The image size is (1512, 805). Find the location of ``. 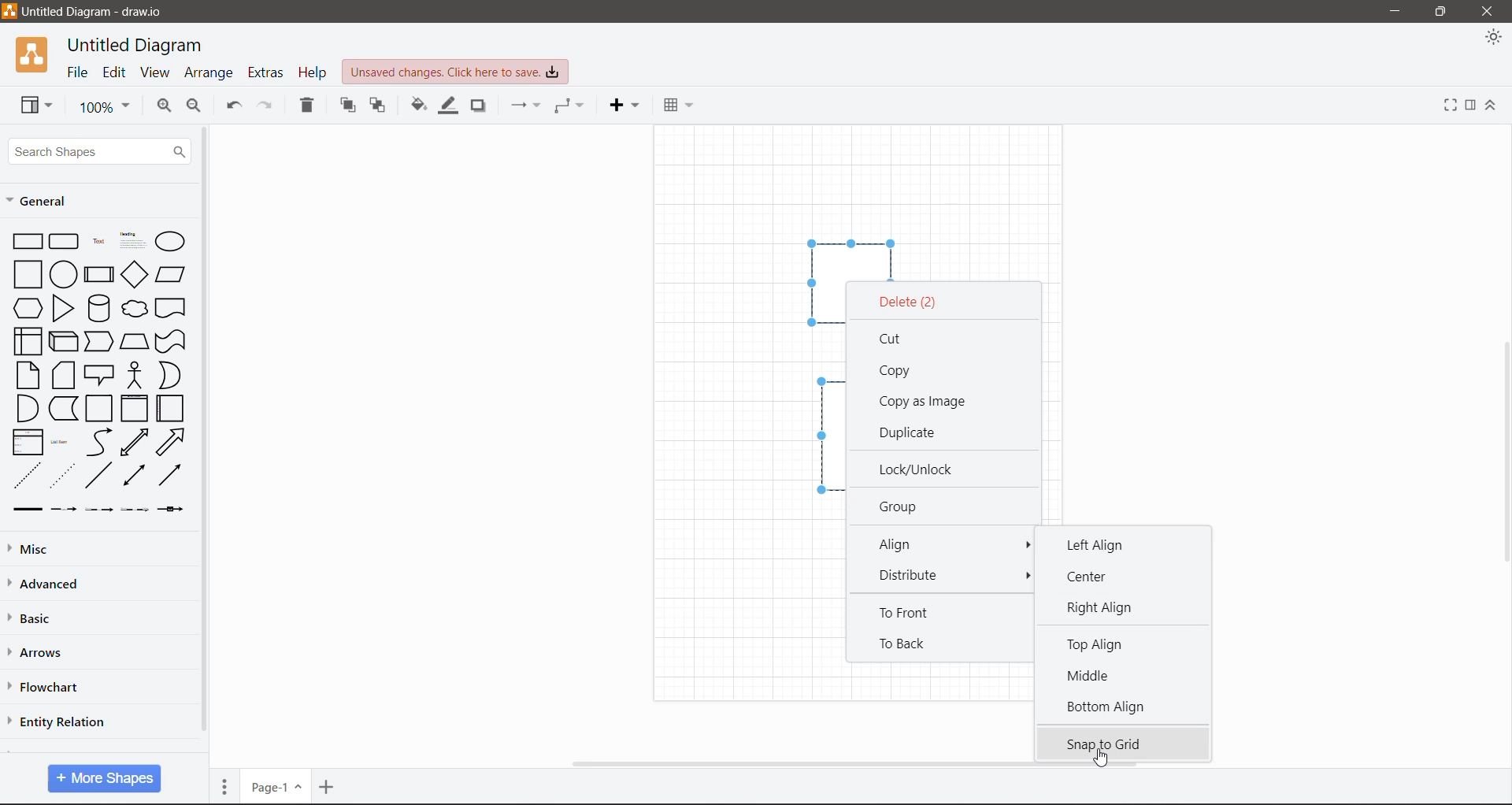

 is located at coordinates (138, 45).